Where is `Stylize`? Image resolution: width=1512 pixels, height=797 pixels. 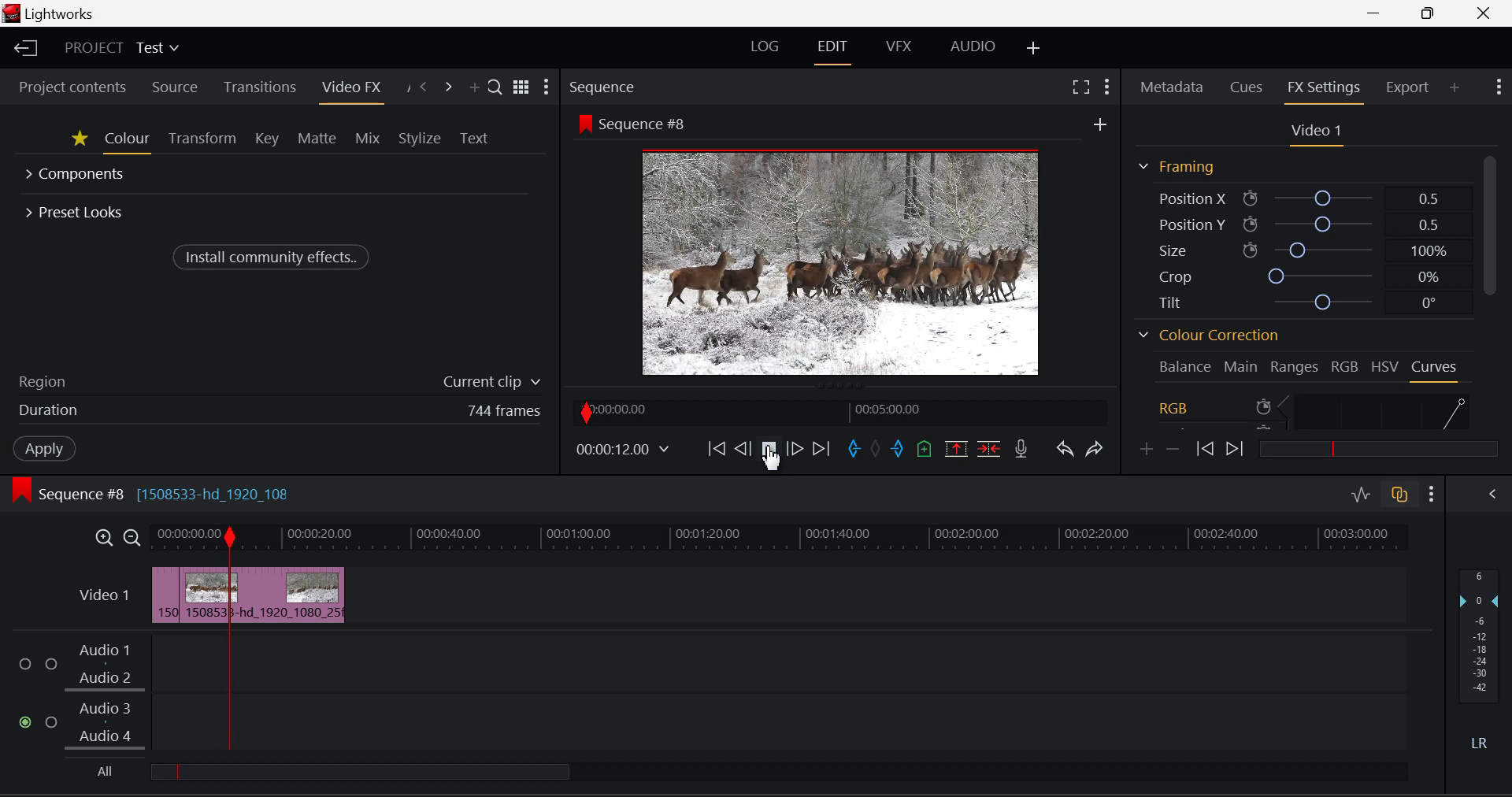 Stylize is located at coordinates (419, 137).